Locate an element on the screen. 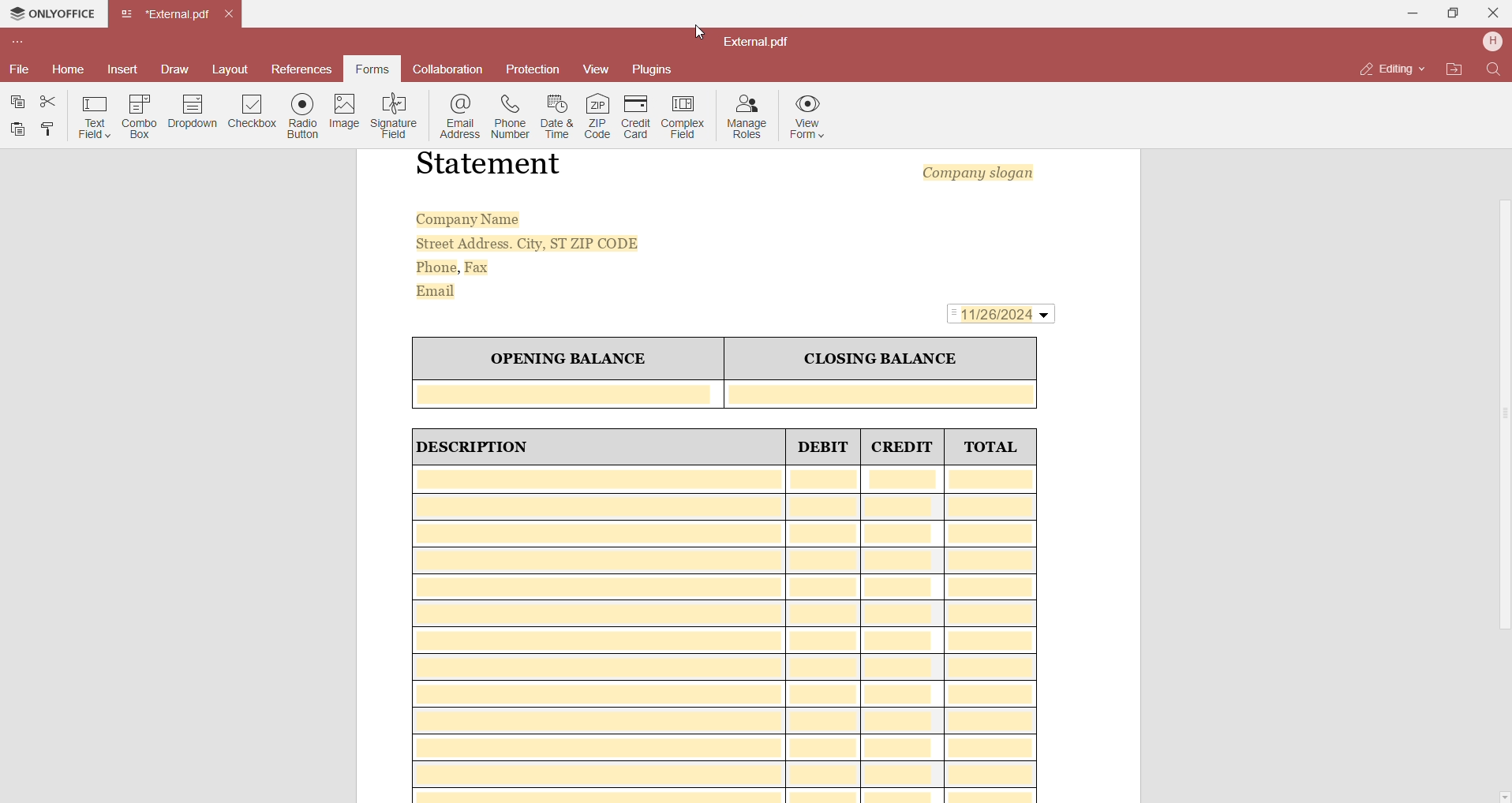 The width and height of the screenshot is (1512, 803). Paste is located at coordinates (17, 129).